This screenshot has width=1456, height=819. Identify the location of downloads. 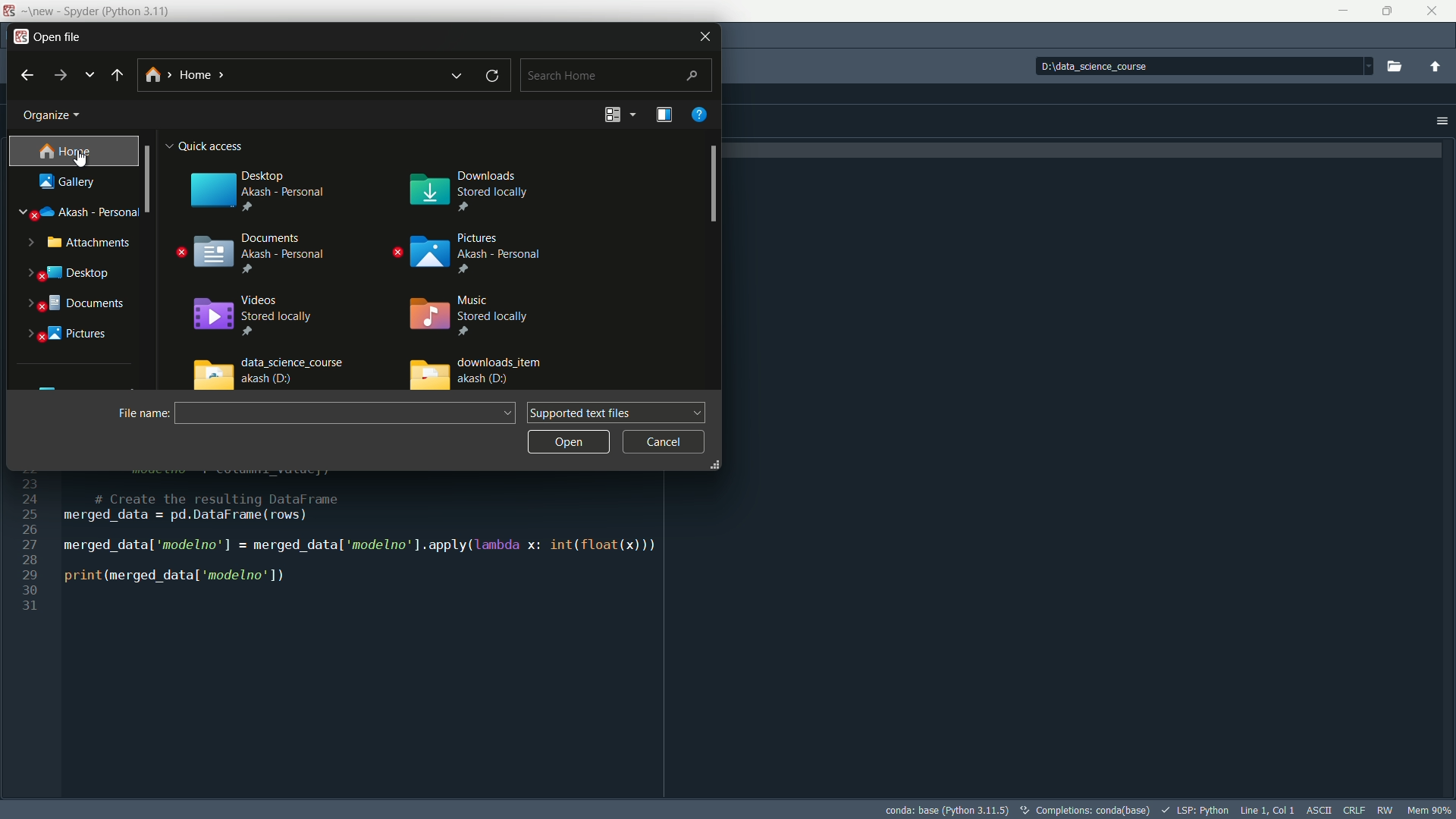
(472, 185).